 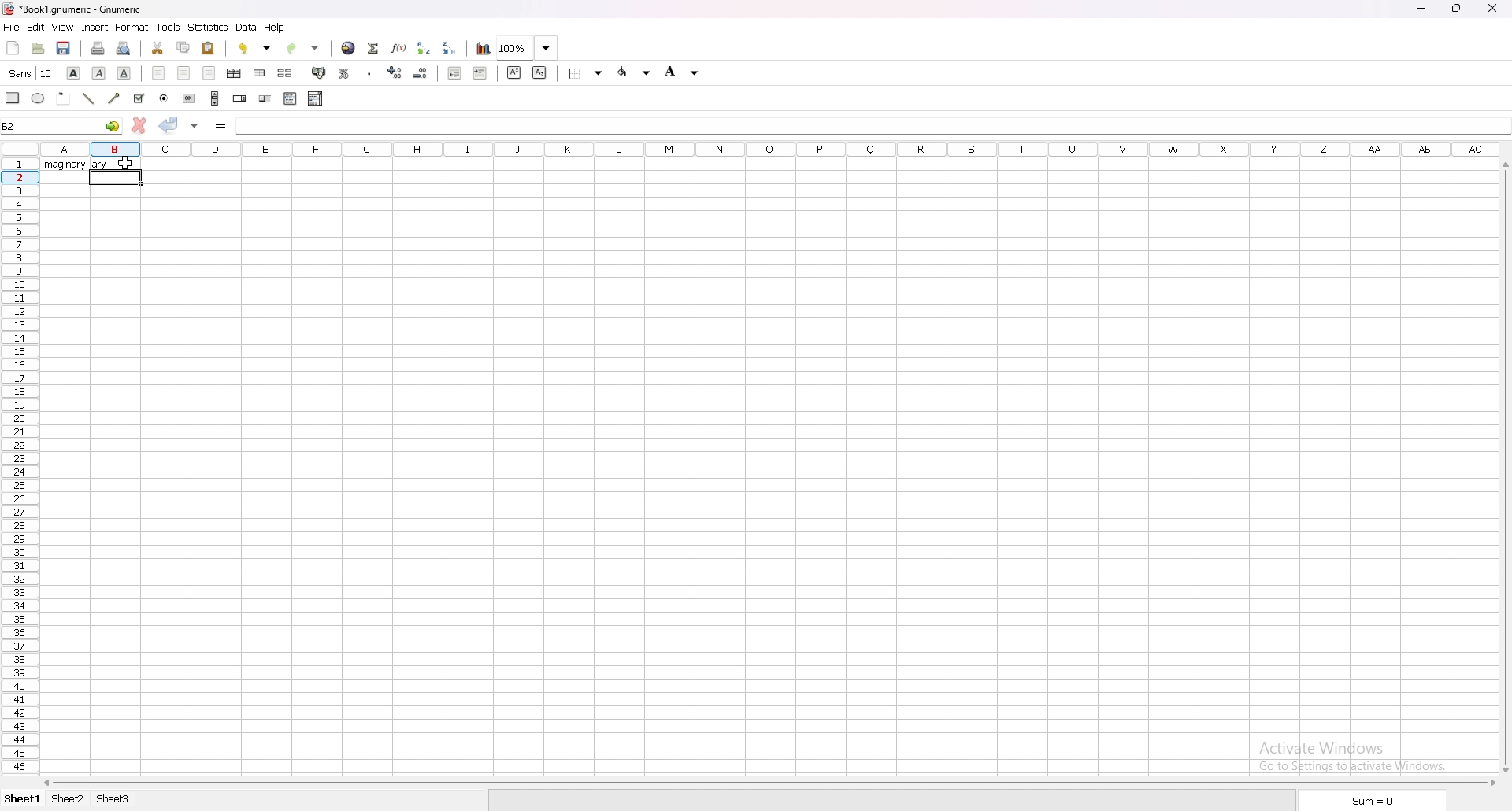 What do you see at coordinates (169, 27) in the screenshot?
I see `tools` at bounding box center [169, 27].